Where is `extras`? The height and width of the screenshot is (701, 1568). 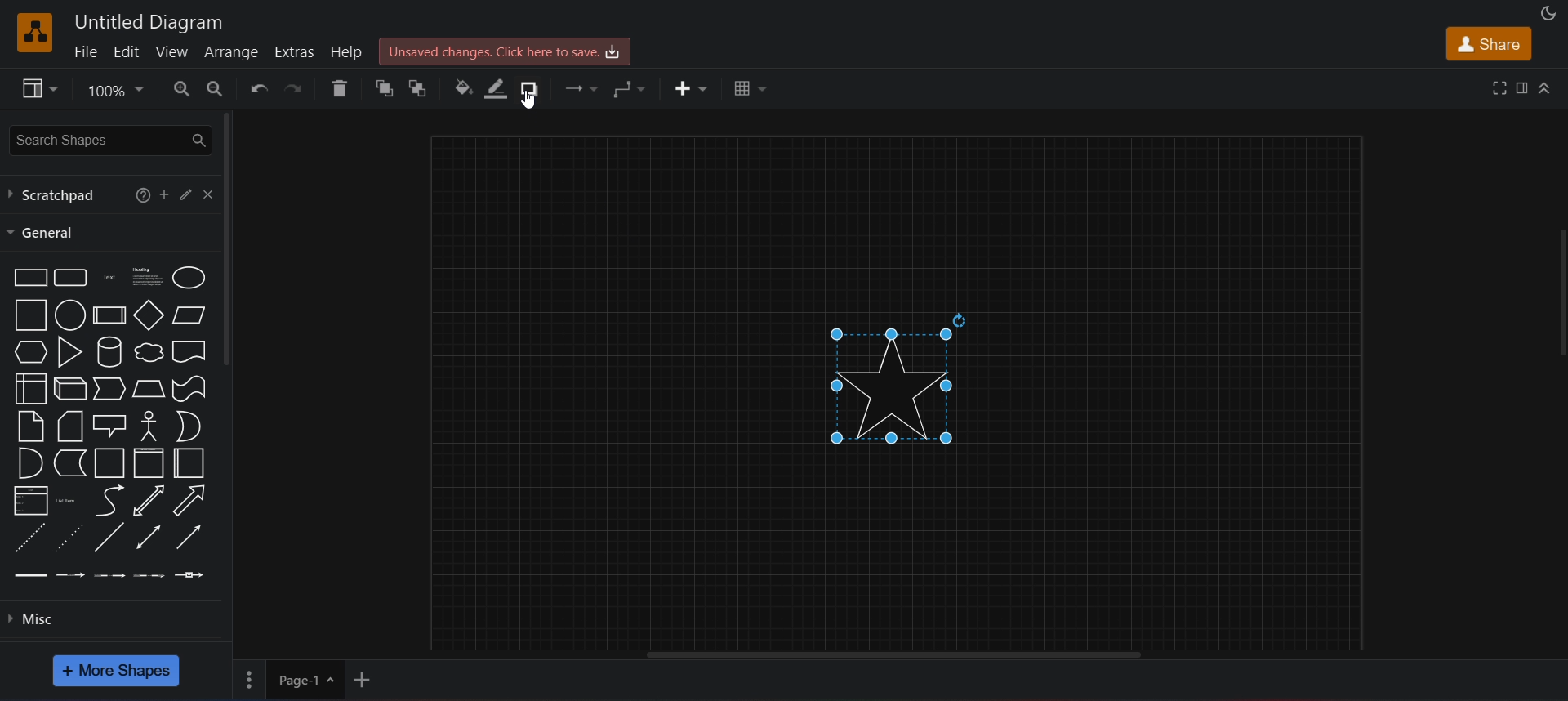
extras is located at coordinates (297, 49).